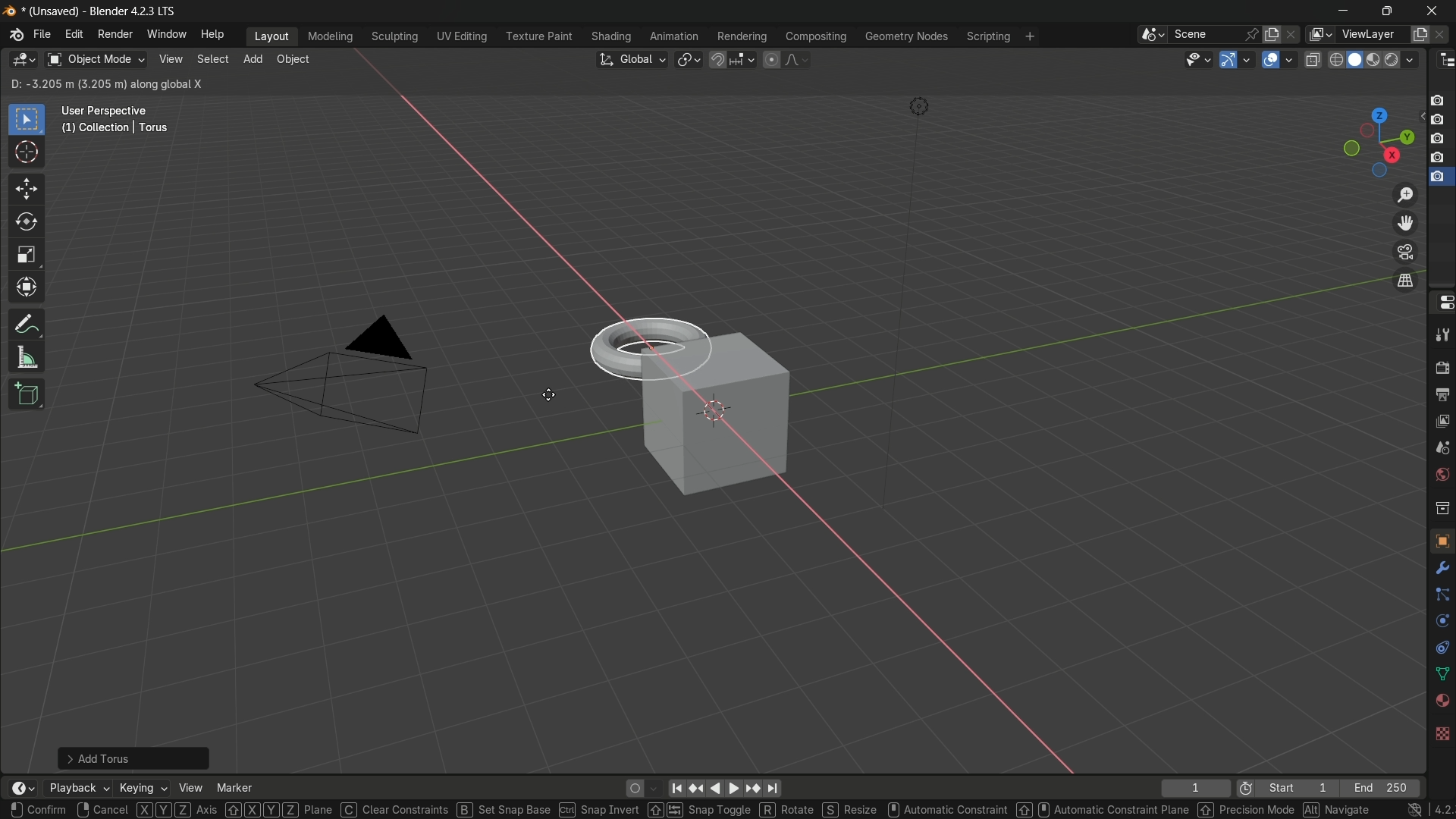  What do you see at coordinates (1437, 101) in the screenshot?
I see `layer 1` at bounding box center [1437, 101].